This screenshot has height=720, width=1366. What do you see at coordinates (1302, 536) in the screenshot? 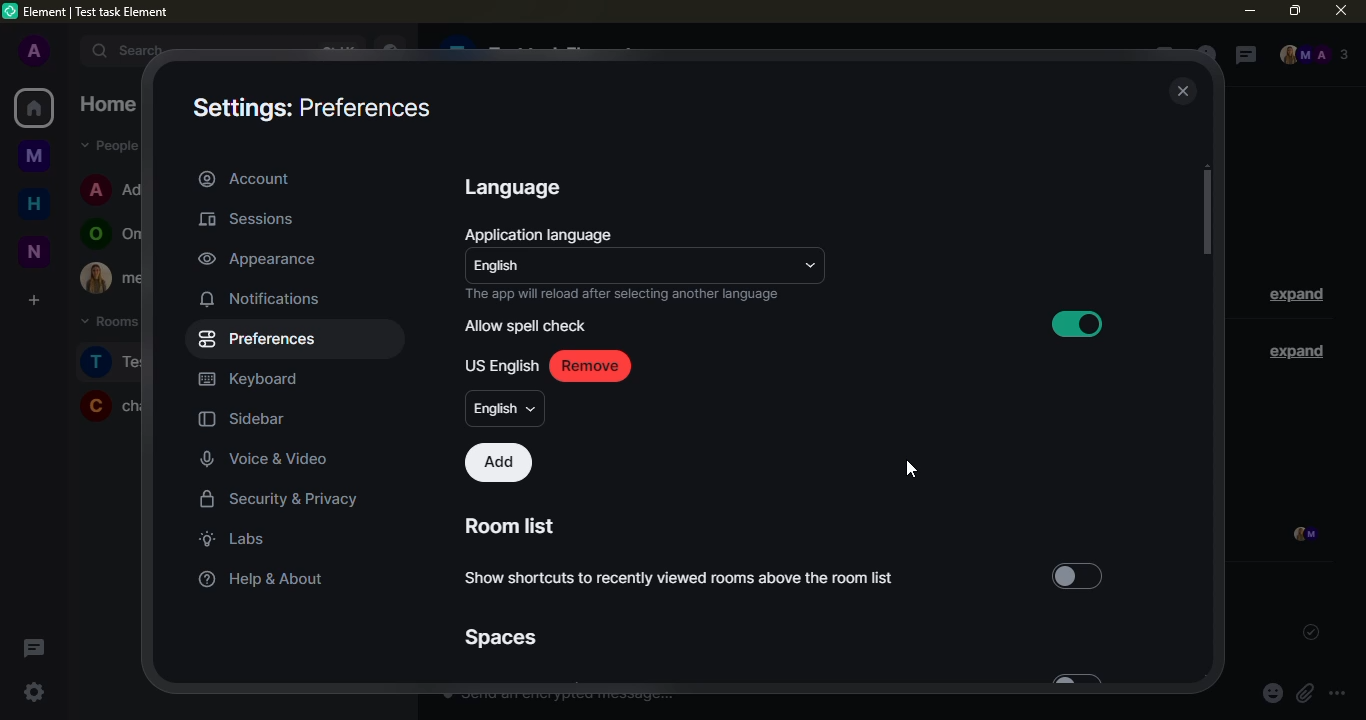
I see `seen` at bounding box center [1302, 536].